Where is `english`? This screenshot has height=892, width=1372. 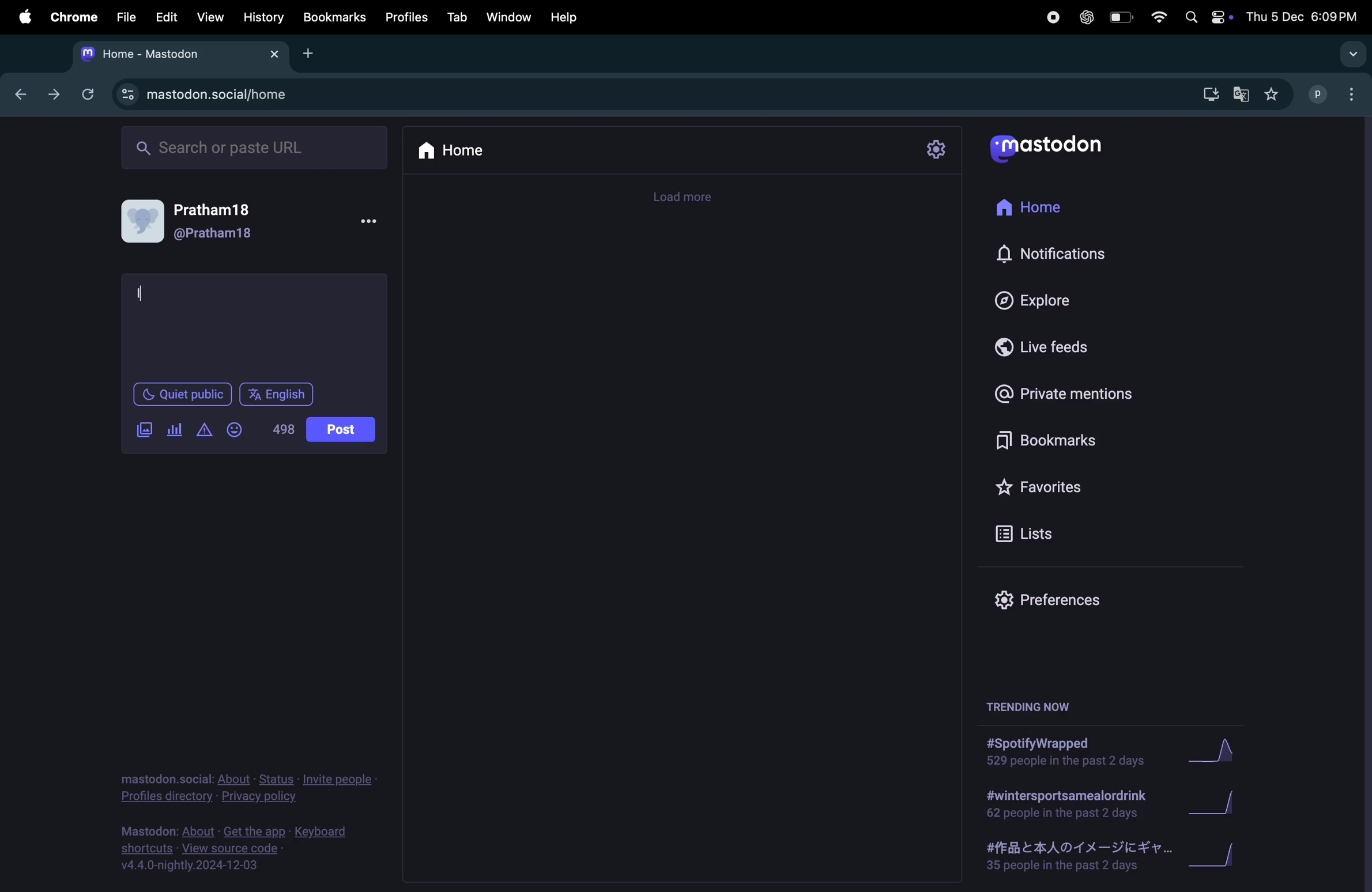 english is located at coordinates (278, 394).